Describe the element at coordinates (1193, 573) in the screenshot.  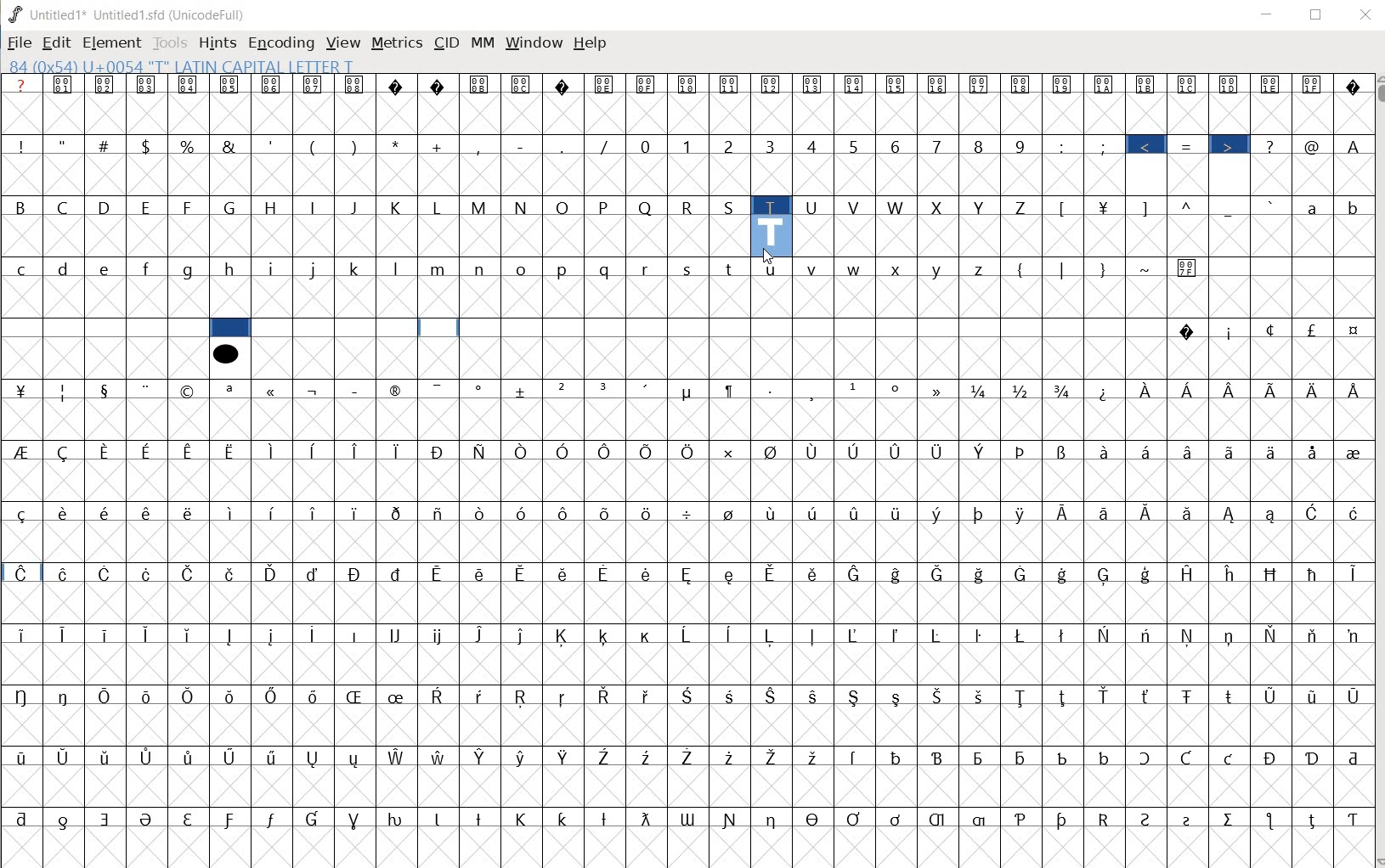
I see `Symbol` at that location.